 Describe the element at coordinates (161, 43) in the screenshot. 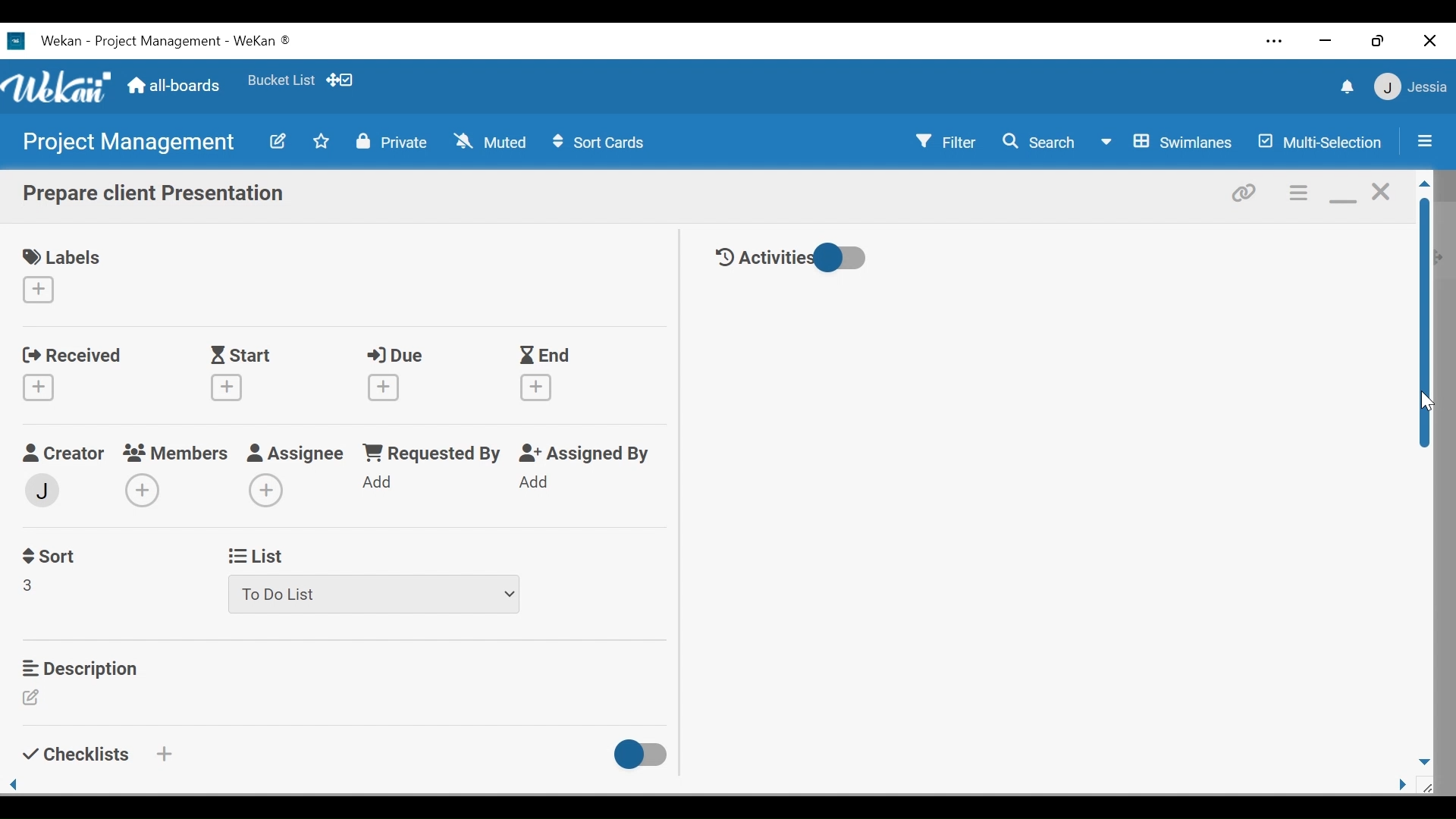

I see `Wekan Desktop icon` at that location.